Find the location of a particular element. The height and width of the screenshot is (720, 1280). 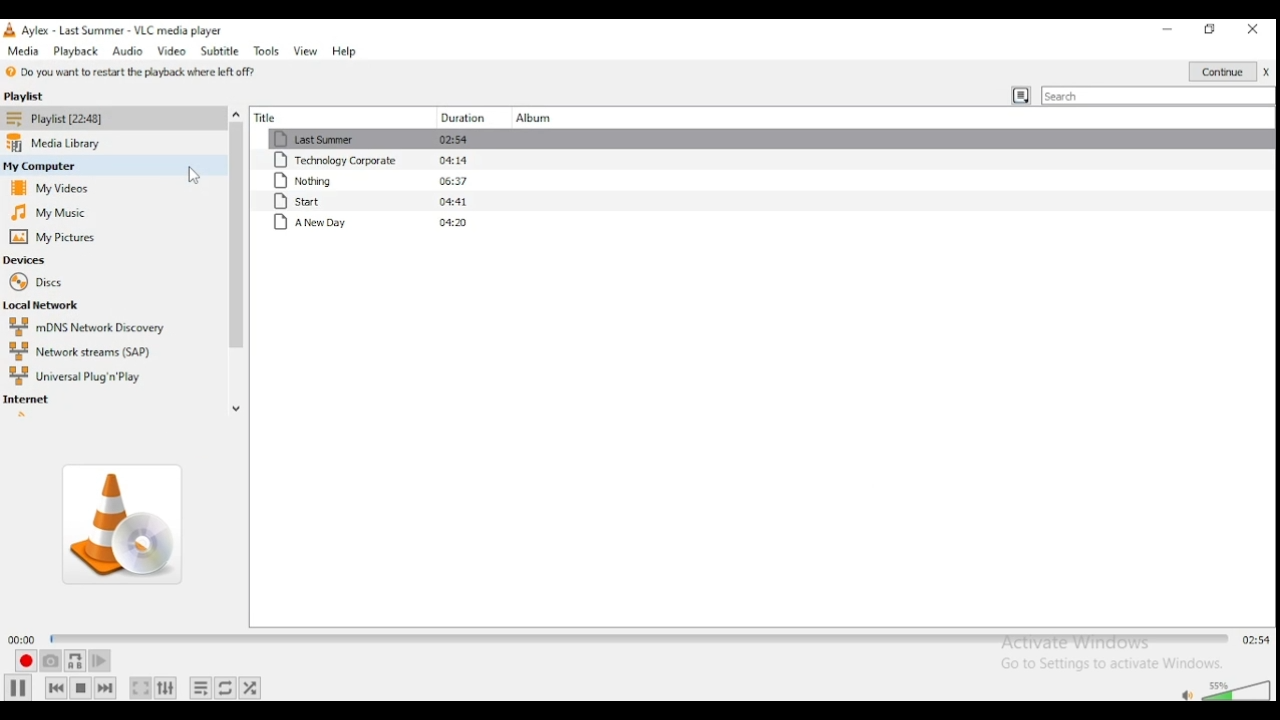

show extended settings is located at coordinates (168, 688).